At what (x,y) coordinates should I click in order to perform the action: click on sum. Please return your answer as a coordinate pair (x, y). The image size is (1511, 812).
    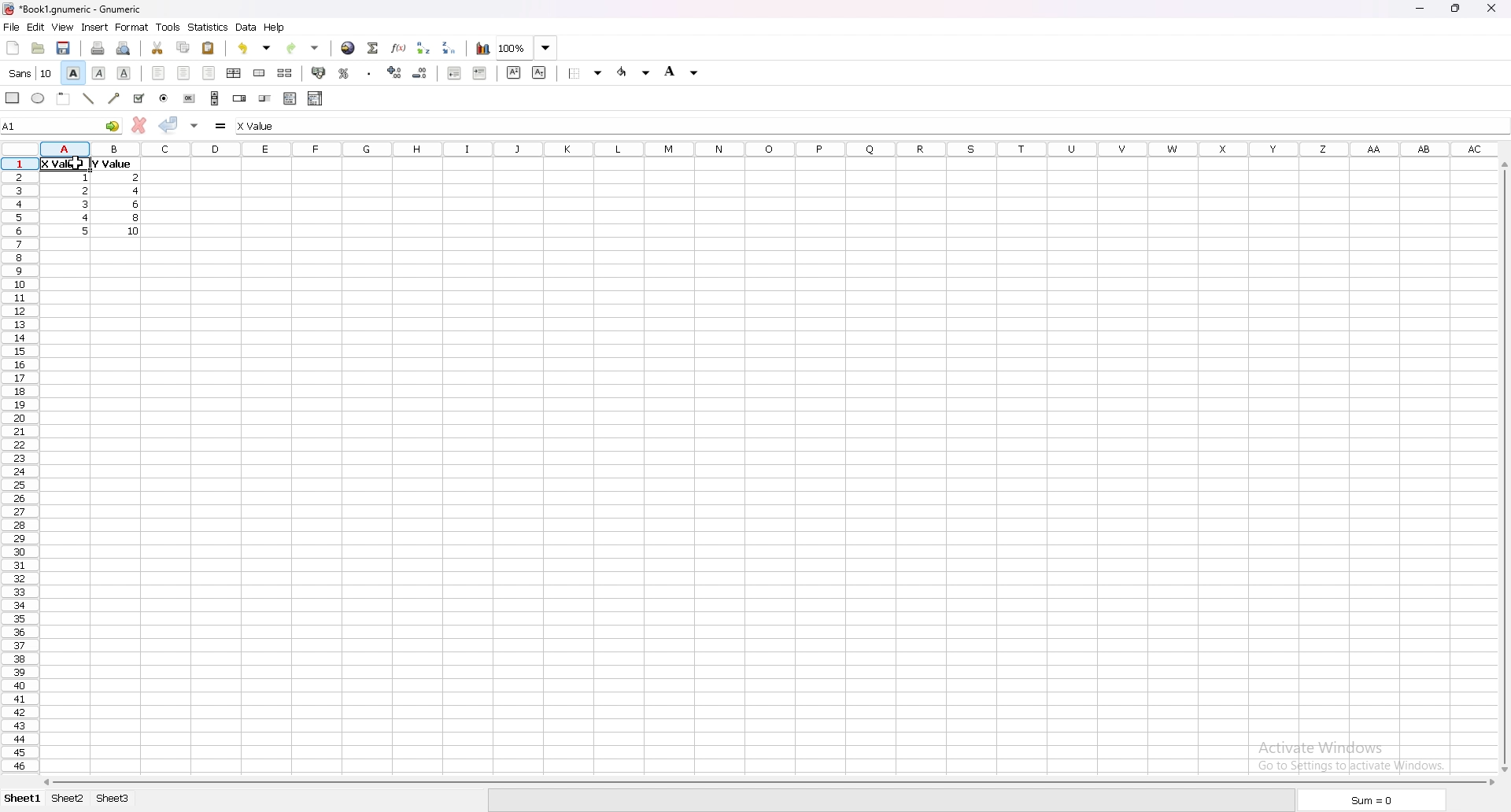
    Looking at the image, I should click on (1372, 803).